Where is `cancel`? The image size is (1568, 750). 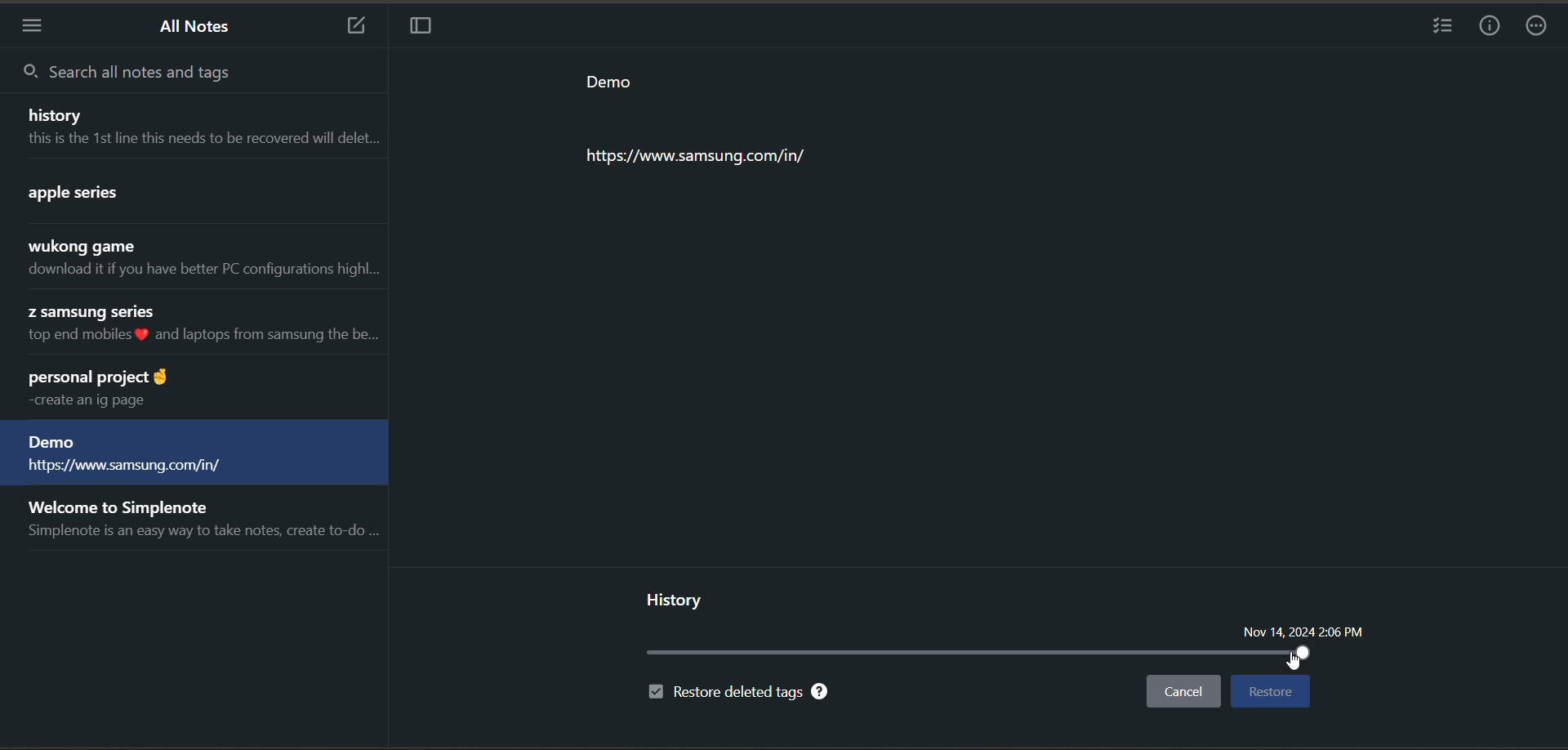 cancel is located at coordinates (1188, 694).